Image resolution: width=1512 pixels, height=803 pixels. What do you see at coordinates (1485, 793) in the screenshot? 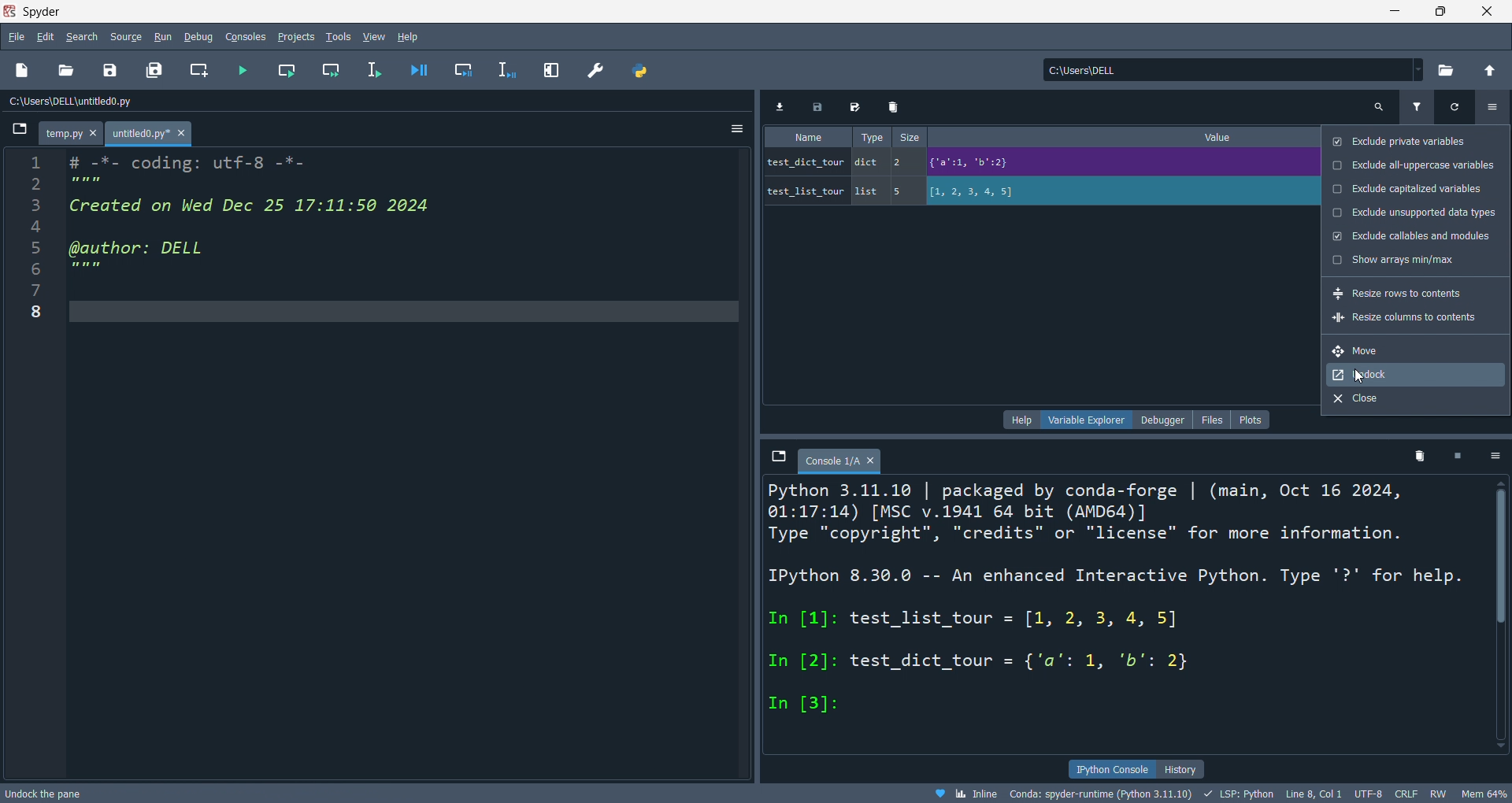
I see `Mem 63%` at bounding box center [1485, 793].